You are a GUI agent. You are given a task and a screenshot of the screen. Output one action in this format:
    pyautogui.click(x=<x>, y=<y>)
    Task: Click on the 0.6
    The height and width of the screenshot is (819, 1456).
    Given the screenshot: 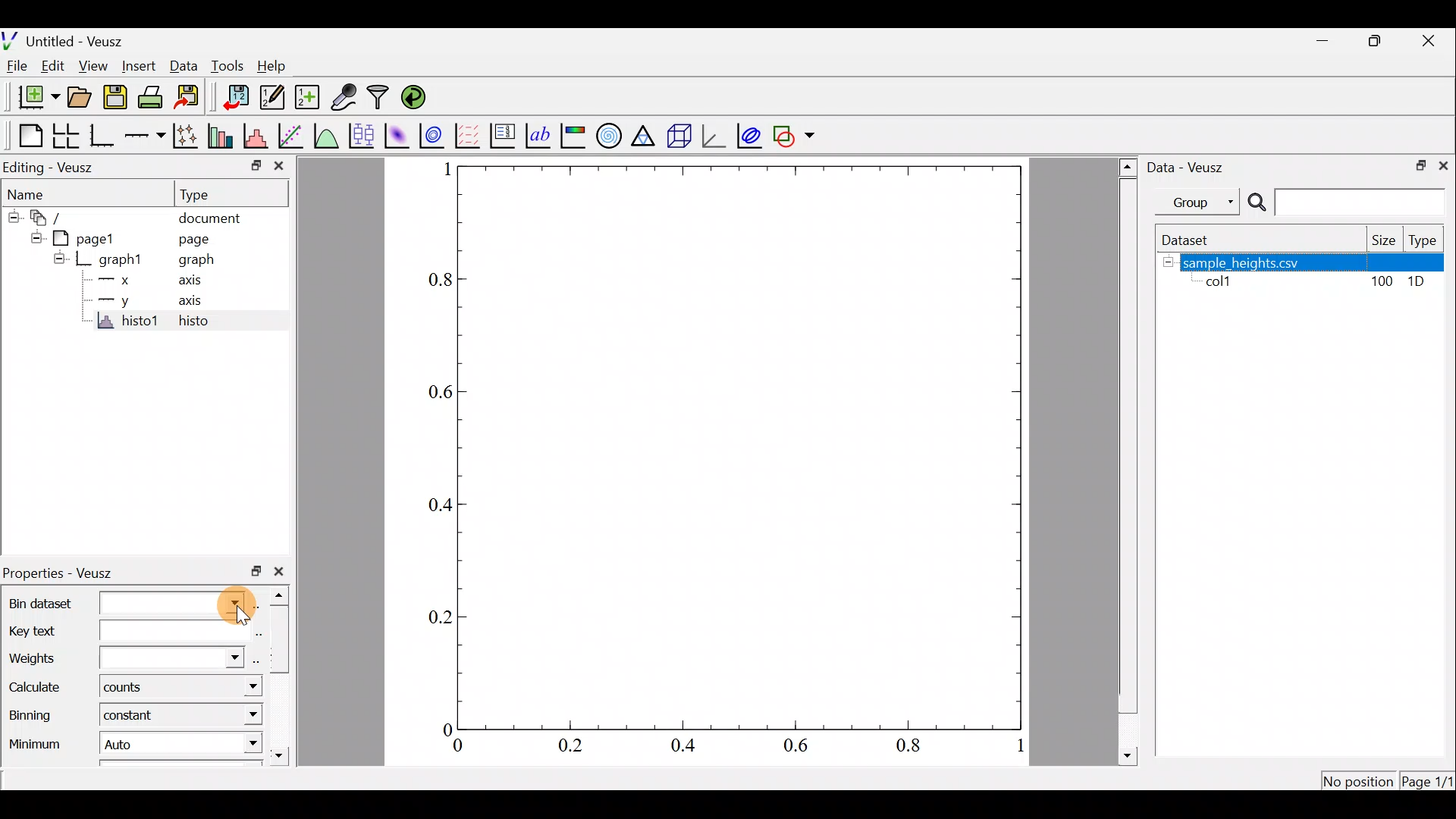 What is the action you would take?
    pyautogui.click(x=432, y=394)
    